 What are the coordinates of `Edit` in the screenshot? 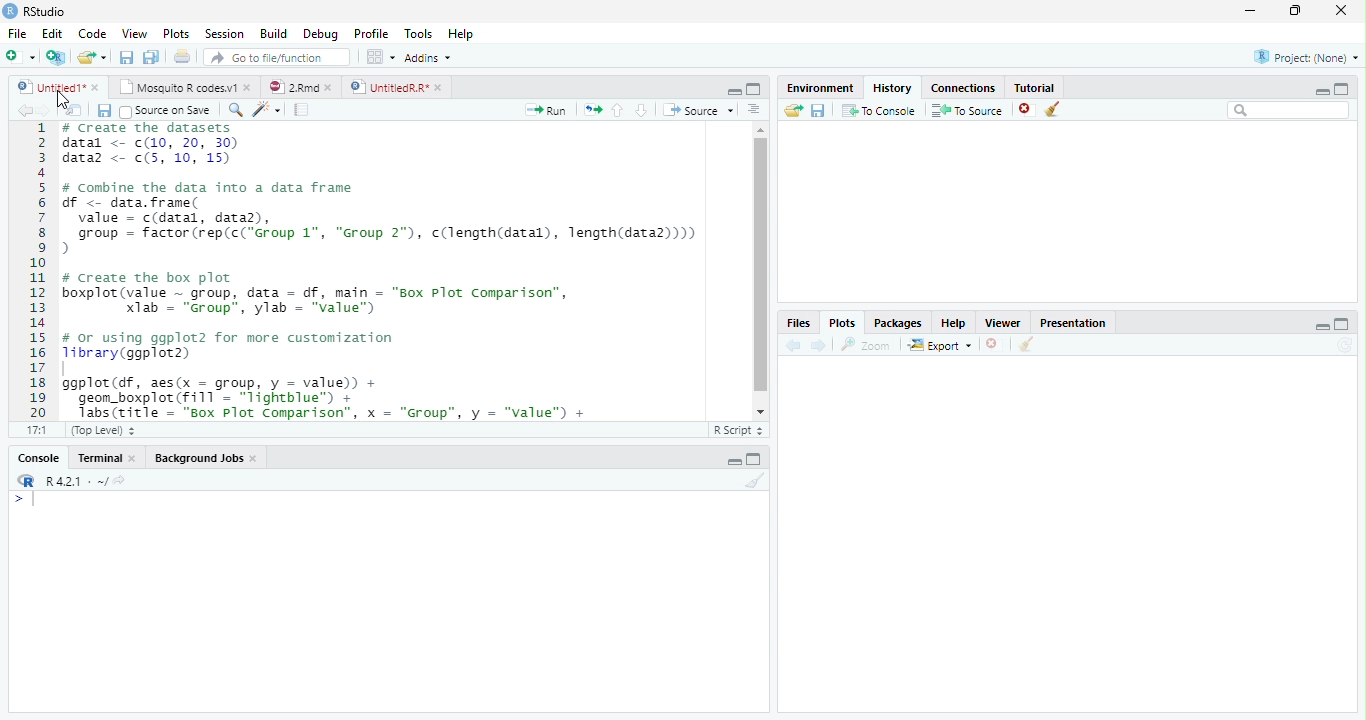 It's located at (50, 33).